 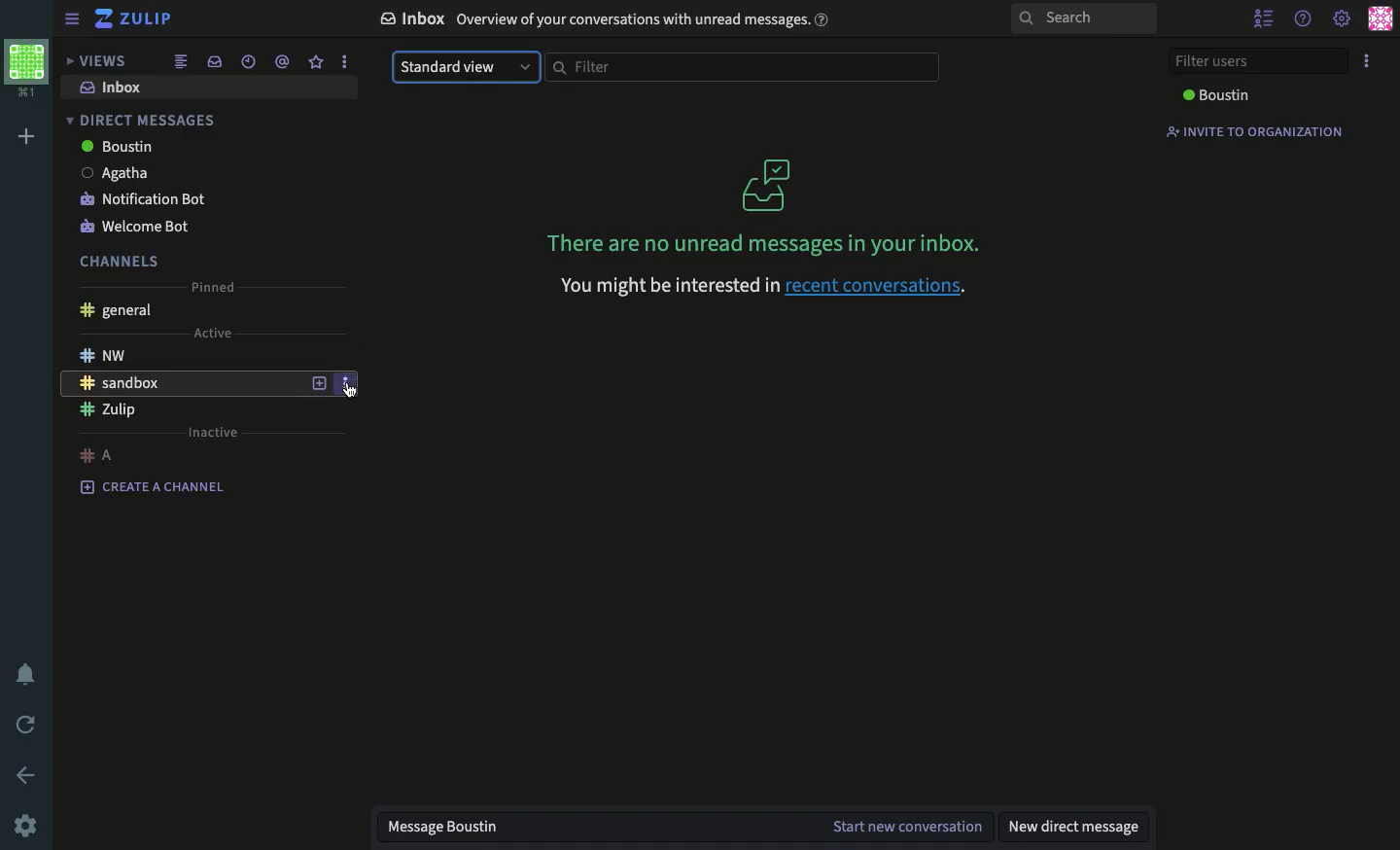 I want to click on help, so click(x=1304, y=18).